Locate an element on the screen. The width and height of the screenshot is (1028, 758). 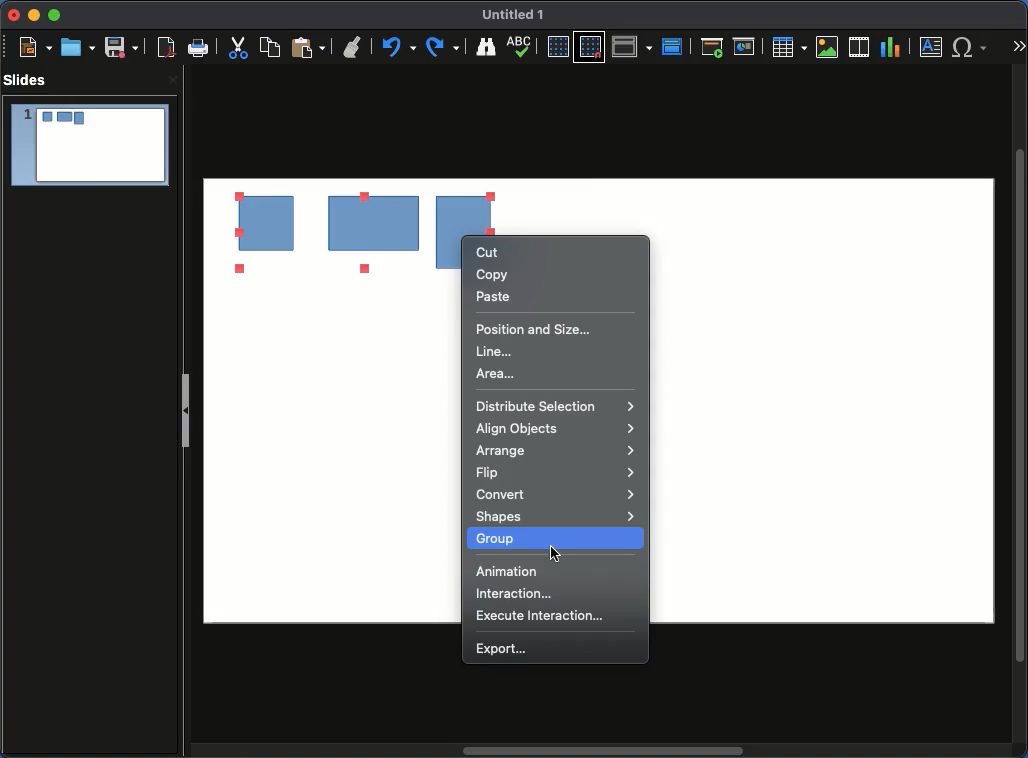
Chart is located at coordinates (892, 48).